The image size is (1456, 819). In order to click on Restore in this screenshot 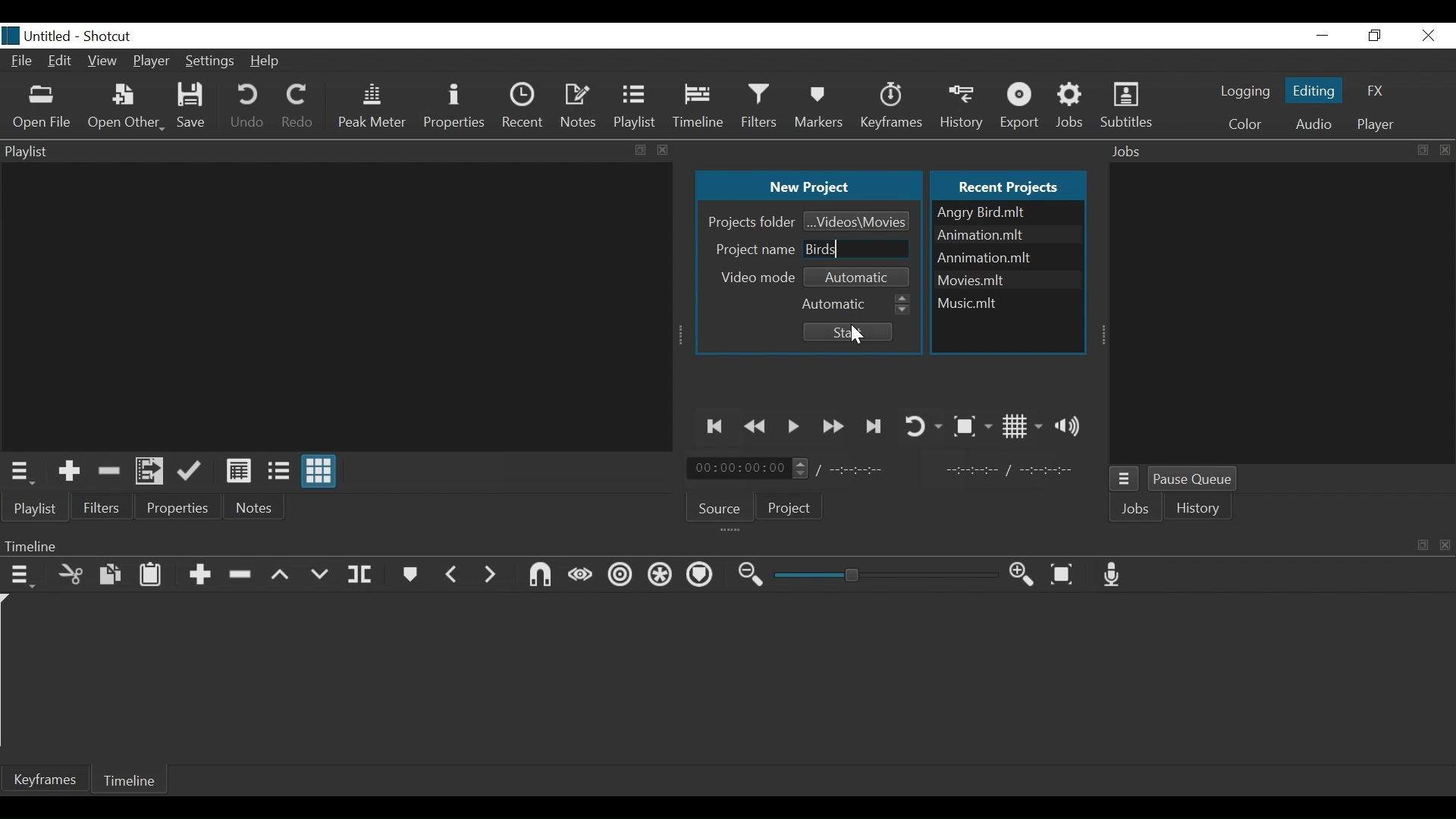, I will do `click(1376, 35)`.